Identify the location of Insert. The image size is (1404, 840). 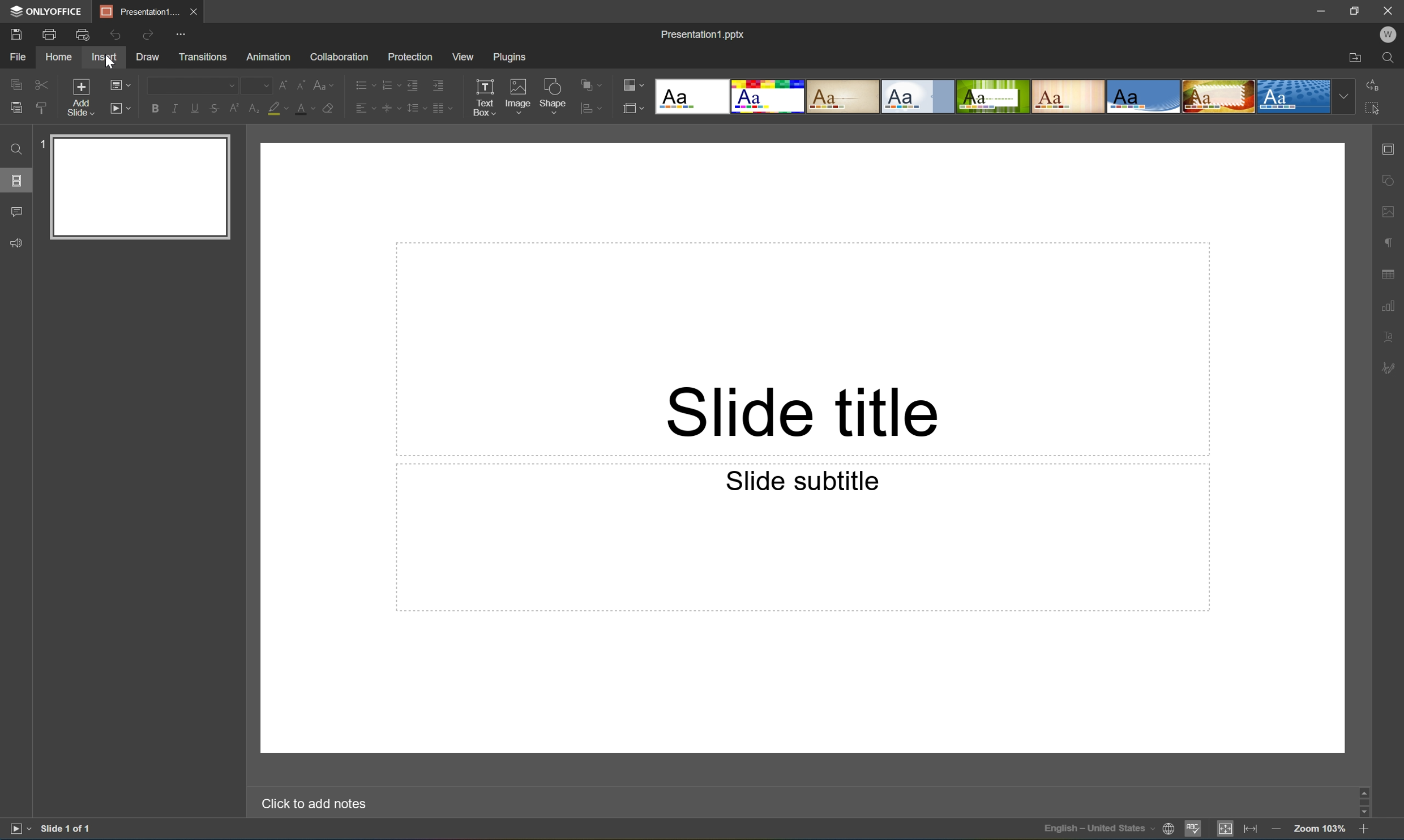
(104, 57).